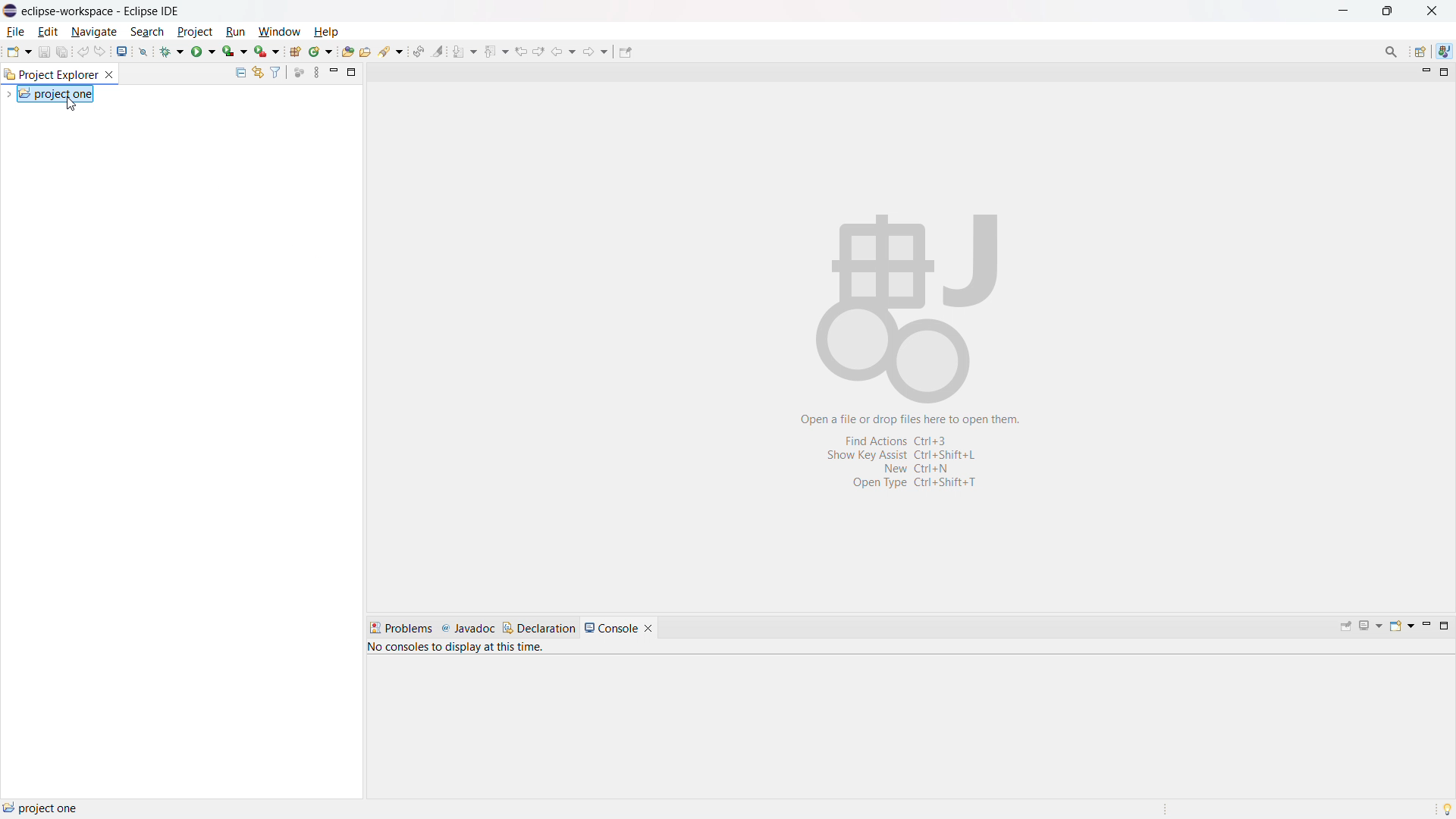 The width and height of the screenshot is (1456, 819). Describe the element at coordinates (71, 103) in the screenshot. I see `cursor` at that location.